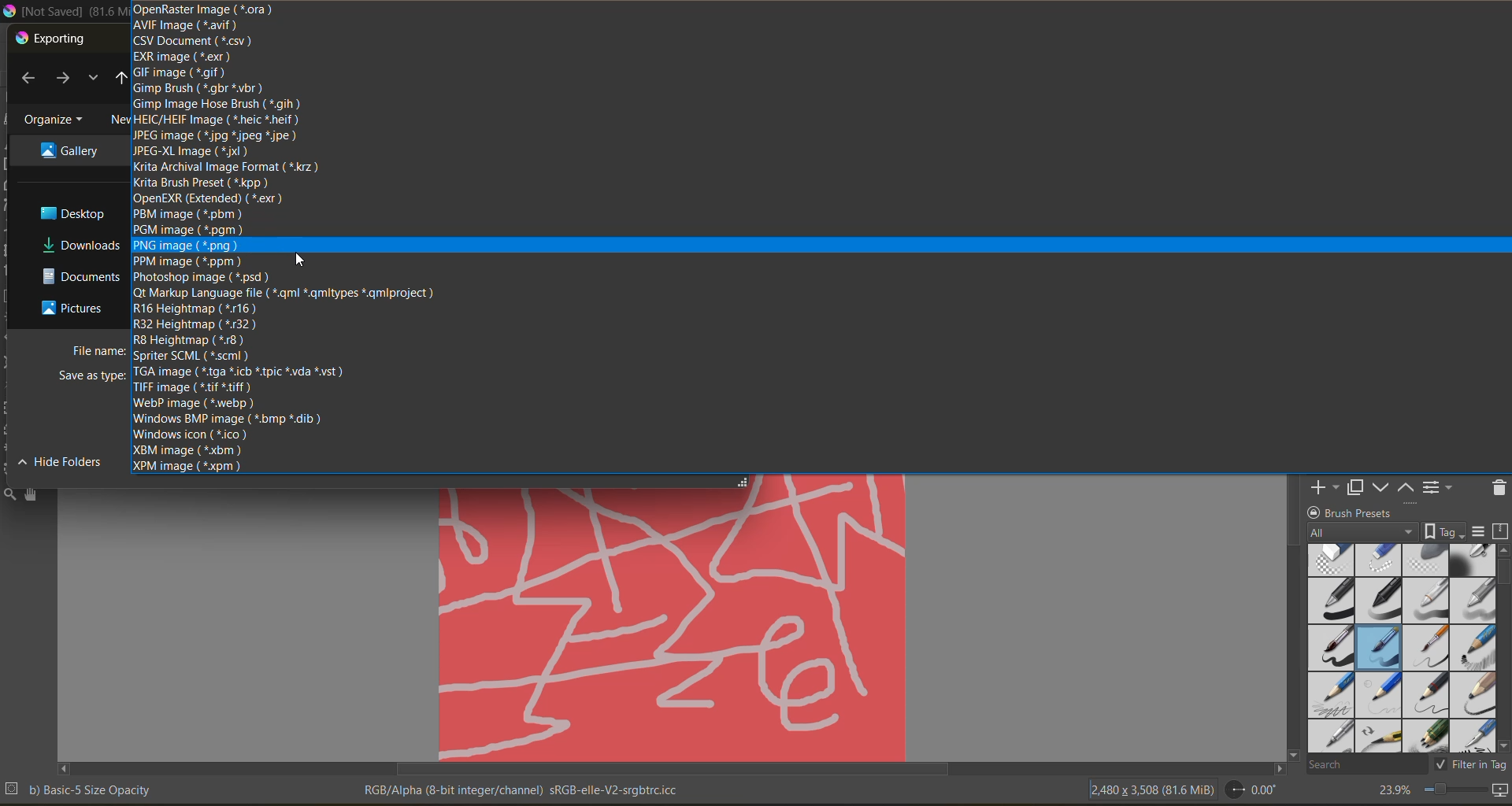 The height and width of the screenshot is (806, 1512). Describe the element at coordinates (282, 292) in the screenshot. I see `qt markup language file` at that location.